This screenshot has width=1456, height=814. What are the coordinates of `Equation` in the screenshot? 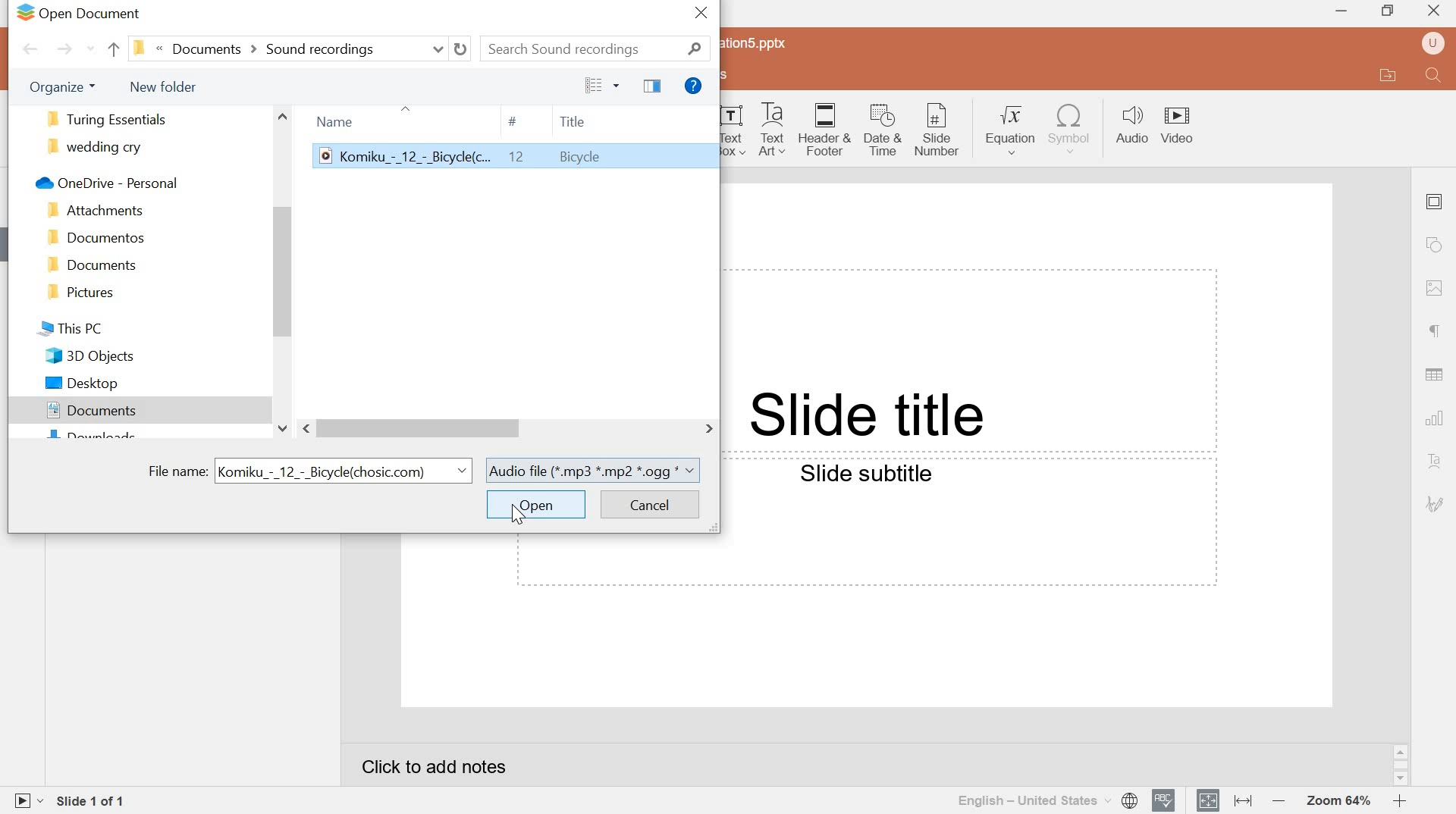 It's located at (1012, 129).